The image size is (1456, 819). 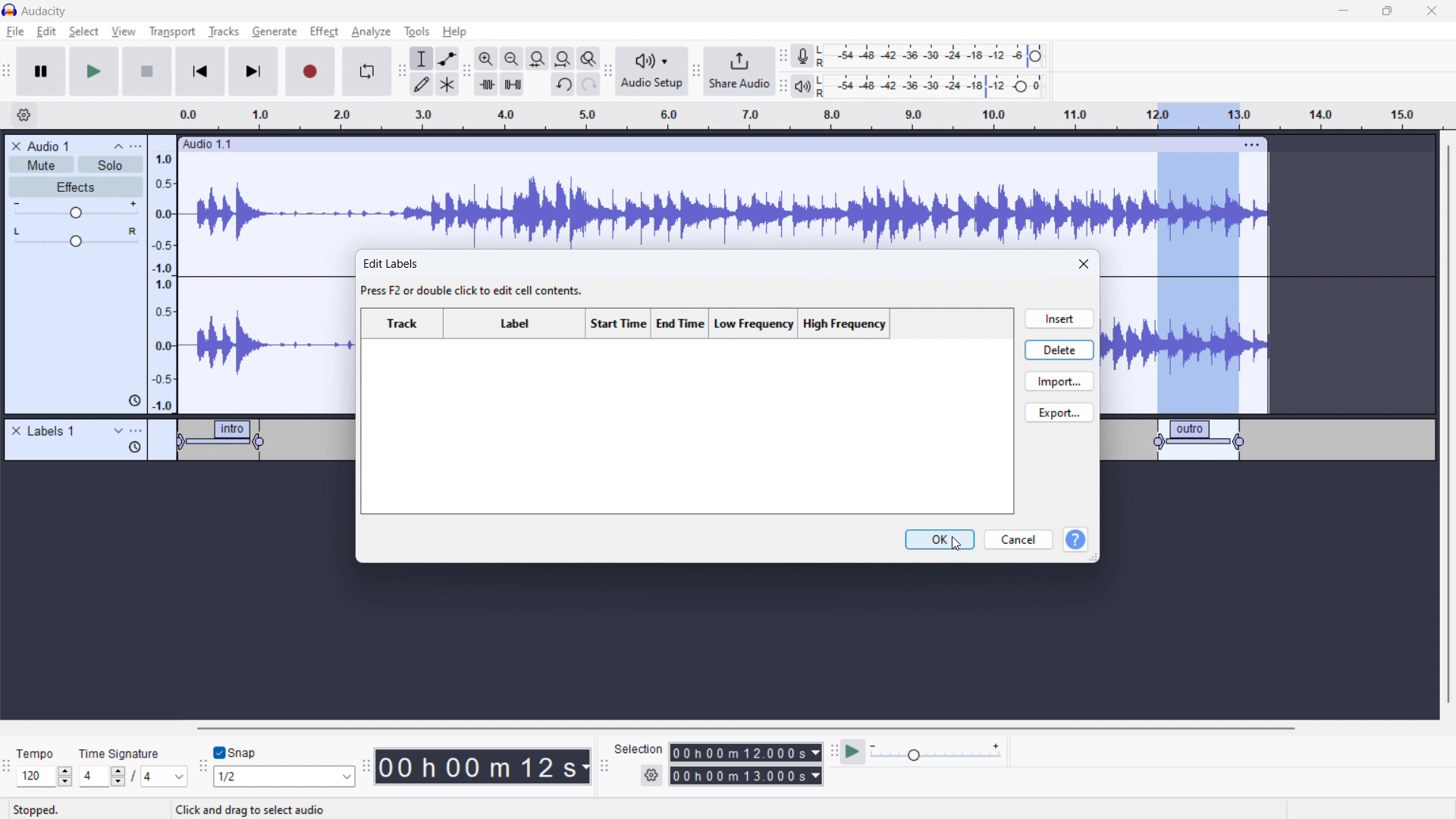 What do you see at coordinates (236, 753) in the screenshot?
I see `toggle snap` at bounding box center [236, 753].